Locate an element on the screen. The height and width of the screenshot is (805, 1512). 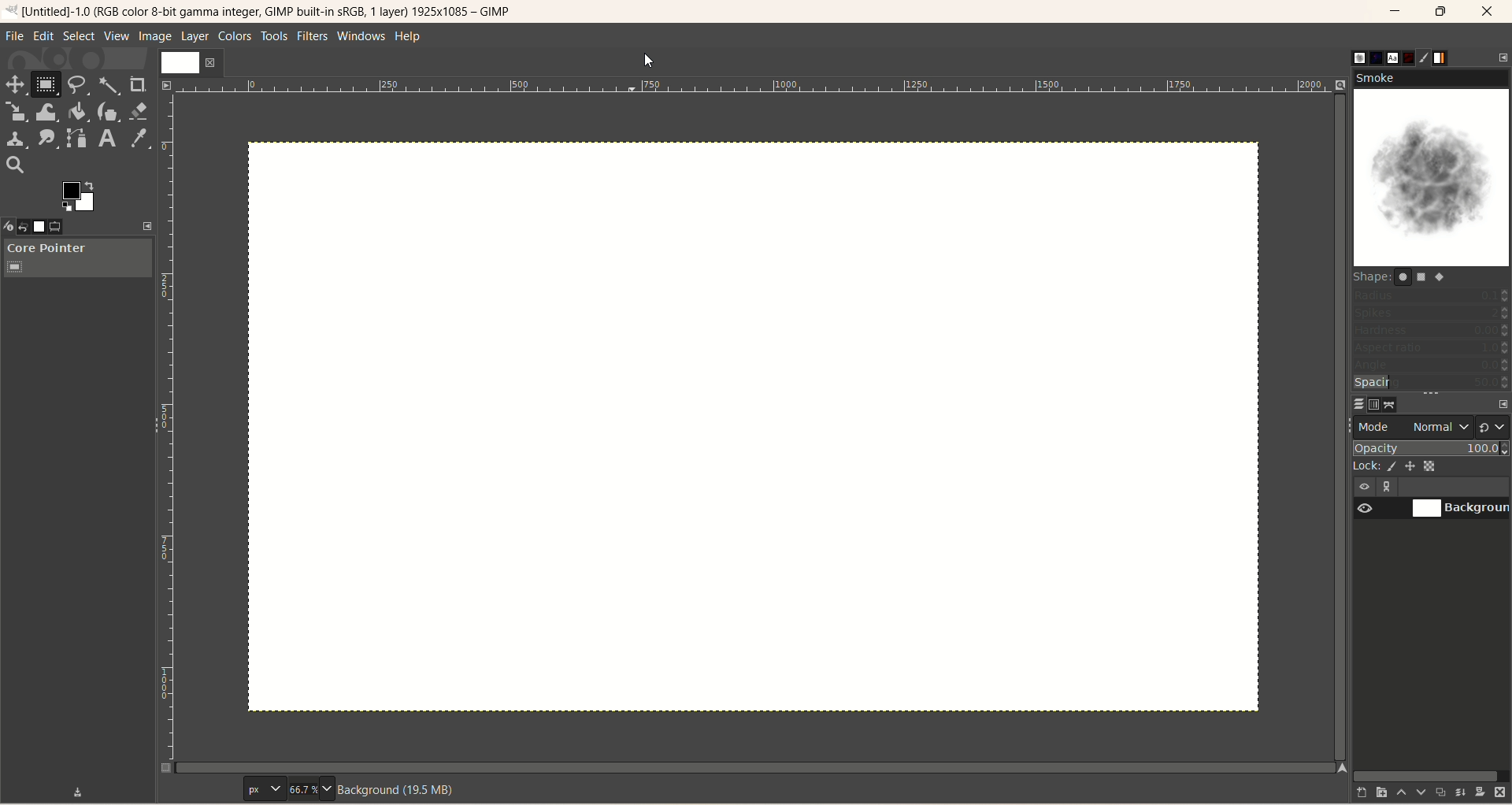
windows is located at coordinates (360, 36).